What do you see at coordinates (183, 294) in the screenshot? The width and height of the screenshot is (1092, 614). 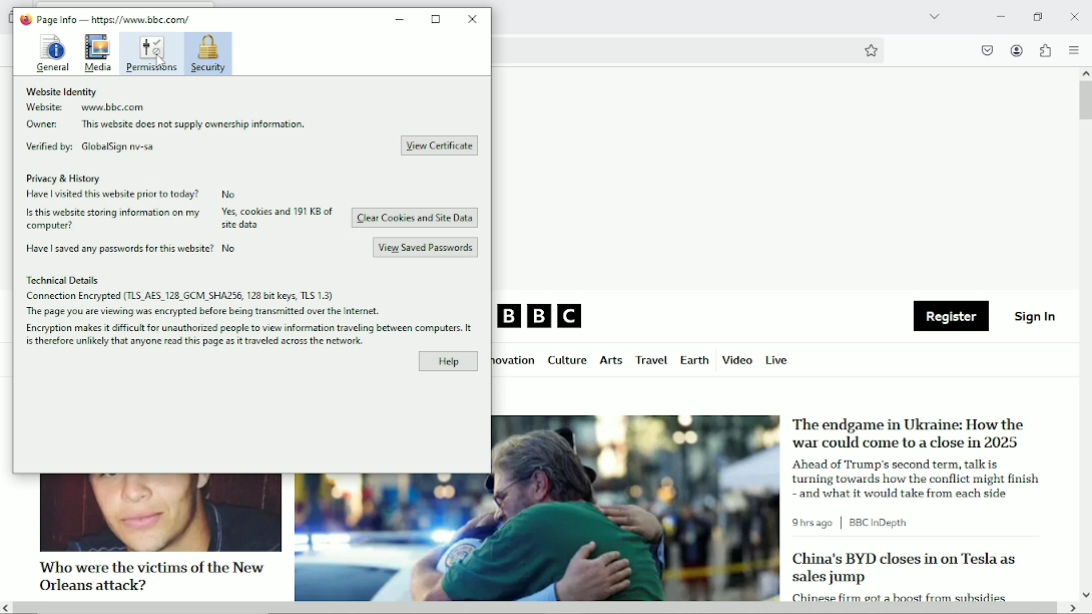 I see `Connection Encrypted (TLS AES 128 GCM SHA2S6, 128 bit keys. TLS 1.3)` at bounding box center [183, 294].